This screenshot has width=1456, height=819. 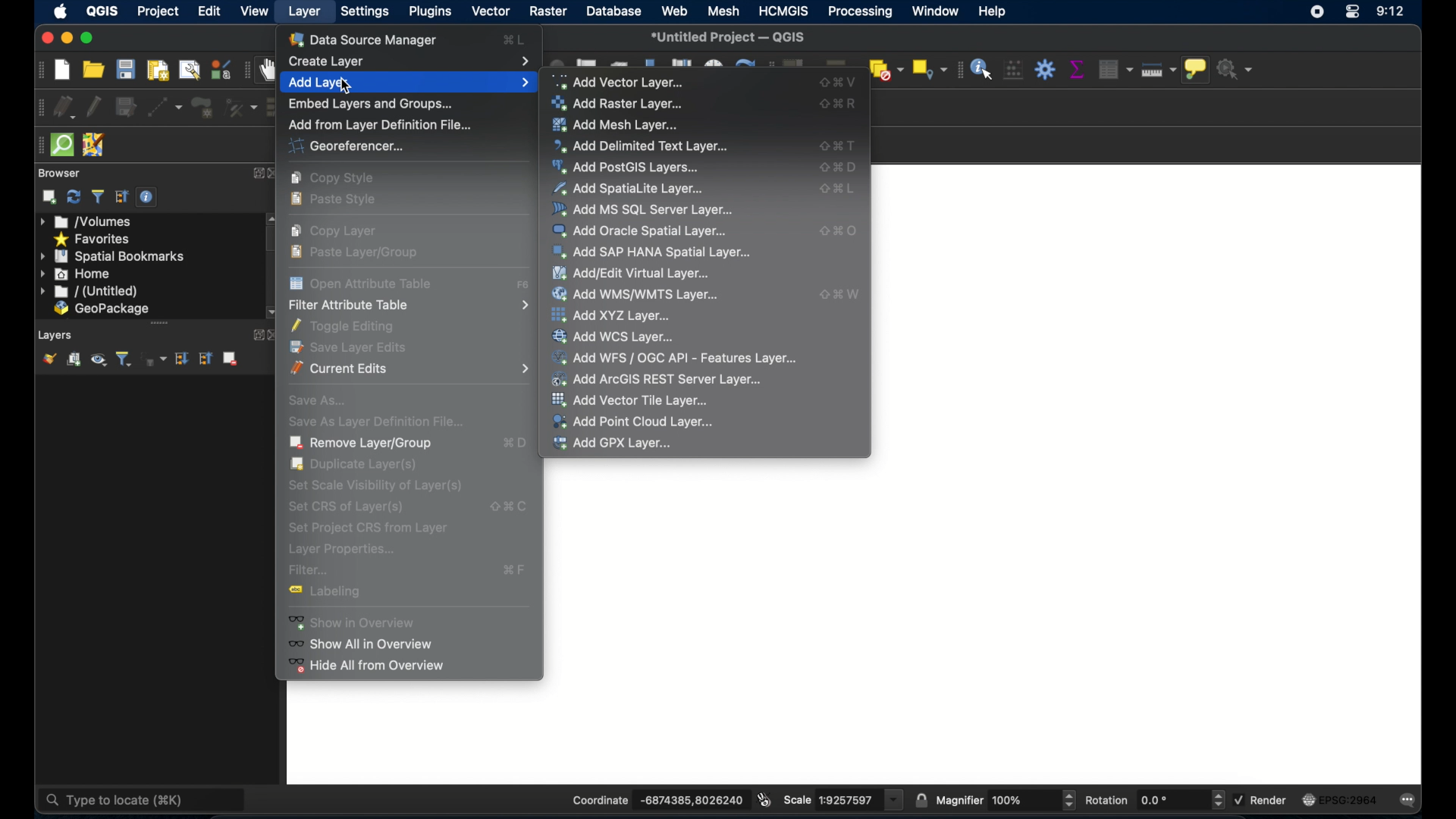 I want to click on style manager, so click(x=220, y=68).